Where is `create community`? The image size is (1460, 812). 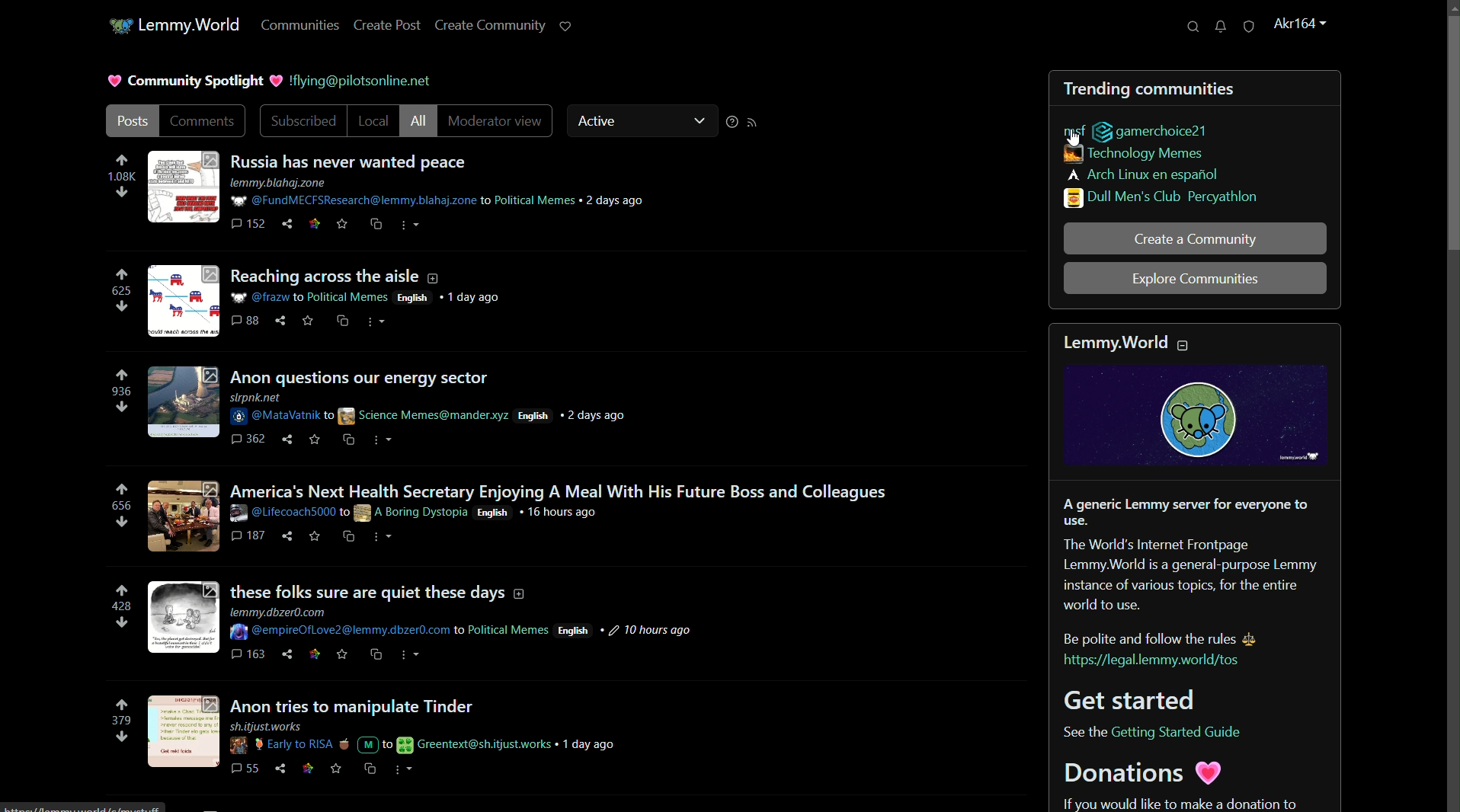
create community is located at coordinates (490, 26).